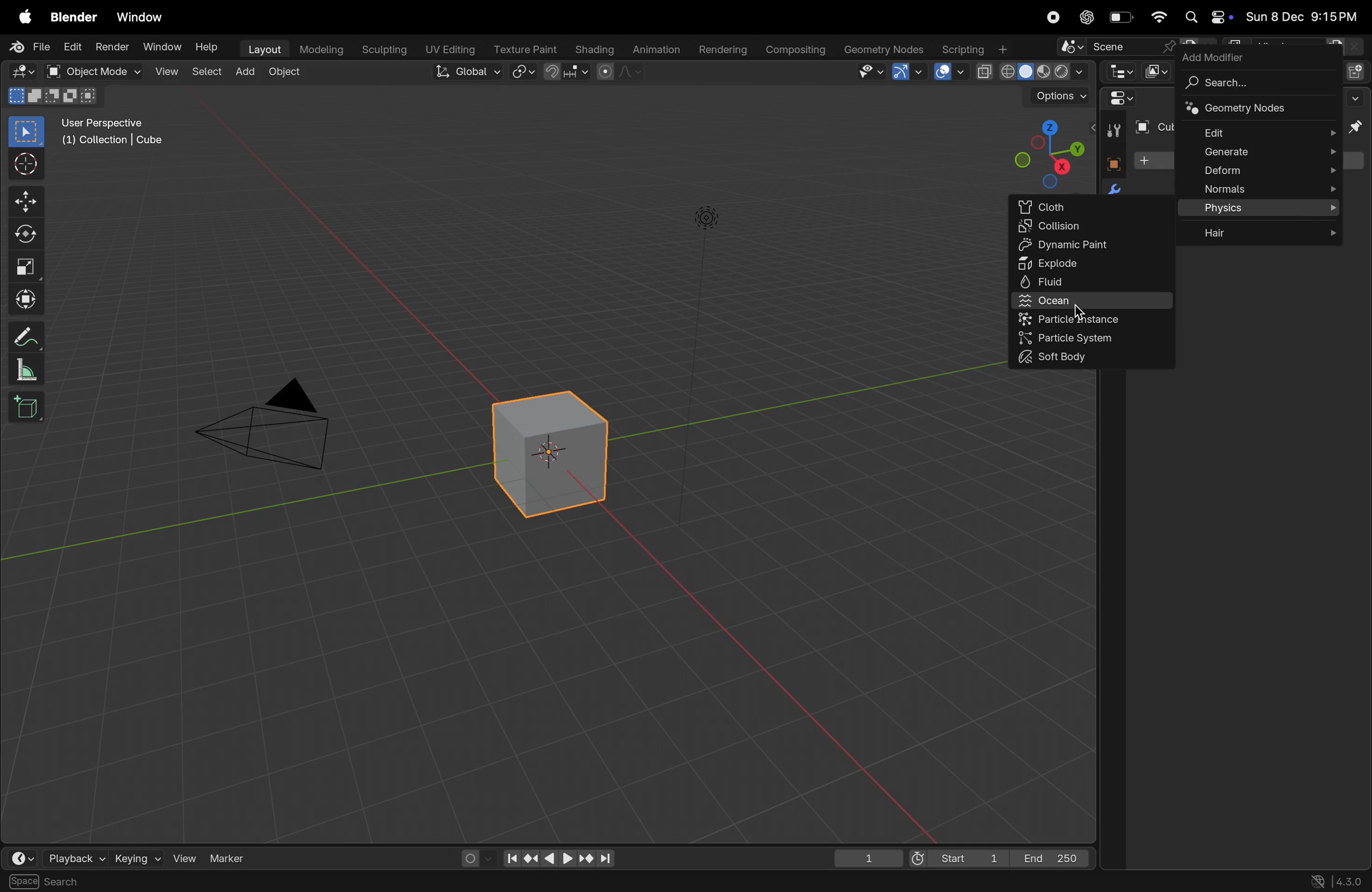 The image size is (1372, 892). I want to click on show Gimzo, so click(906, 73).